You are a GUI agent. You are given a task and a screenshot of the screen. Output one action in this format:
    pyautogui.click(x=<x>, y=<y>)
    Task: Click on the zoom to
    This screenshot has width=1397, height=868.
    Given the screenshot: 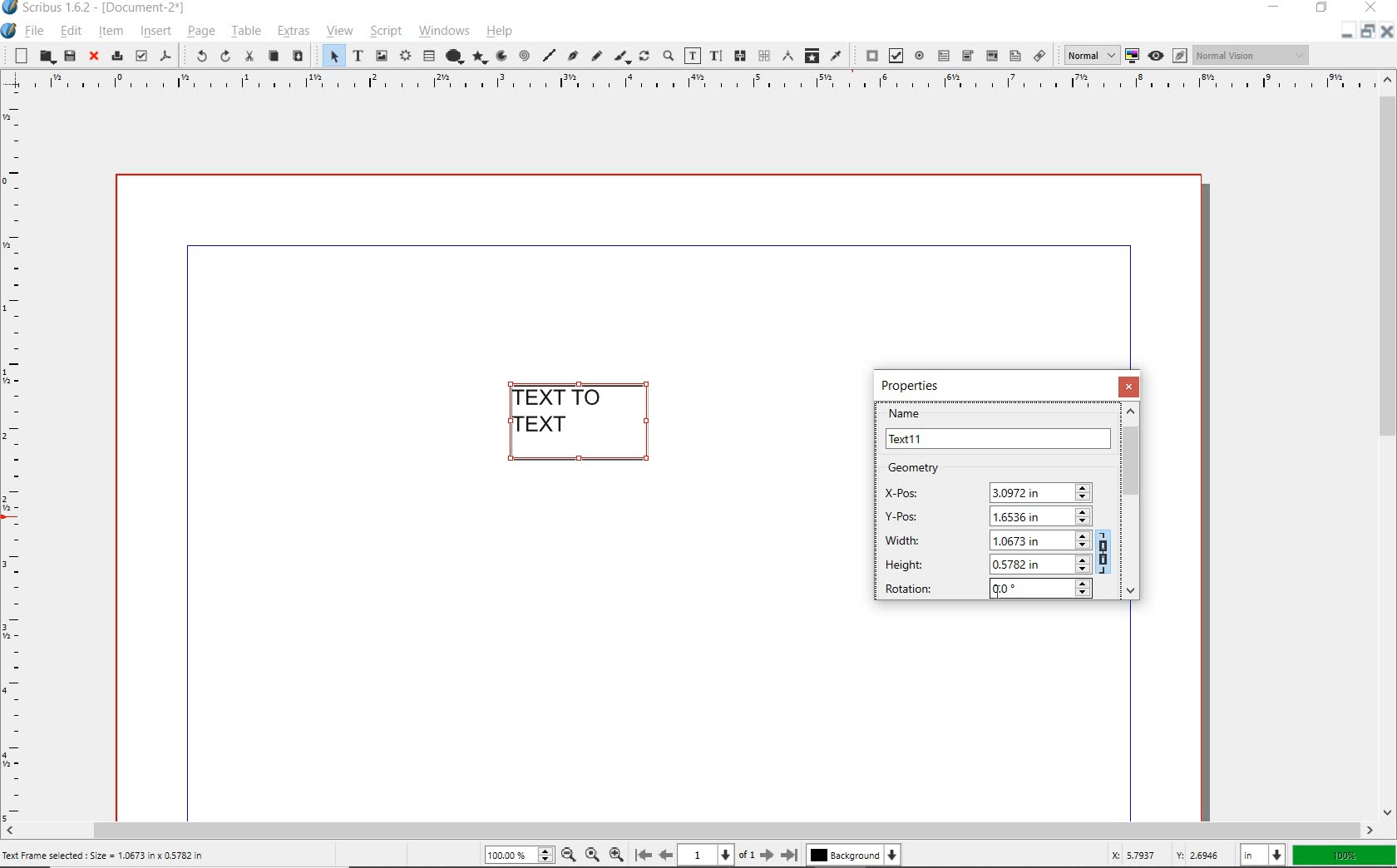 What is the action you would take?
    pyautogui.click(x=595, y=855)
    